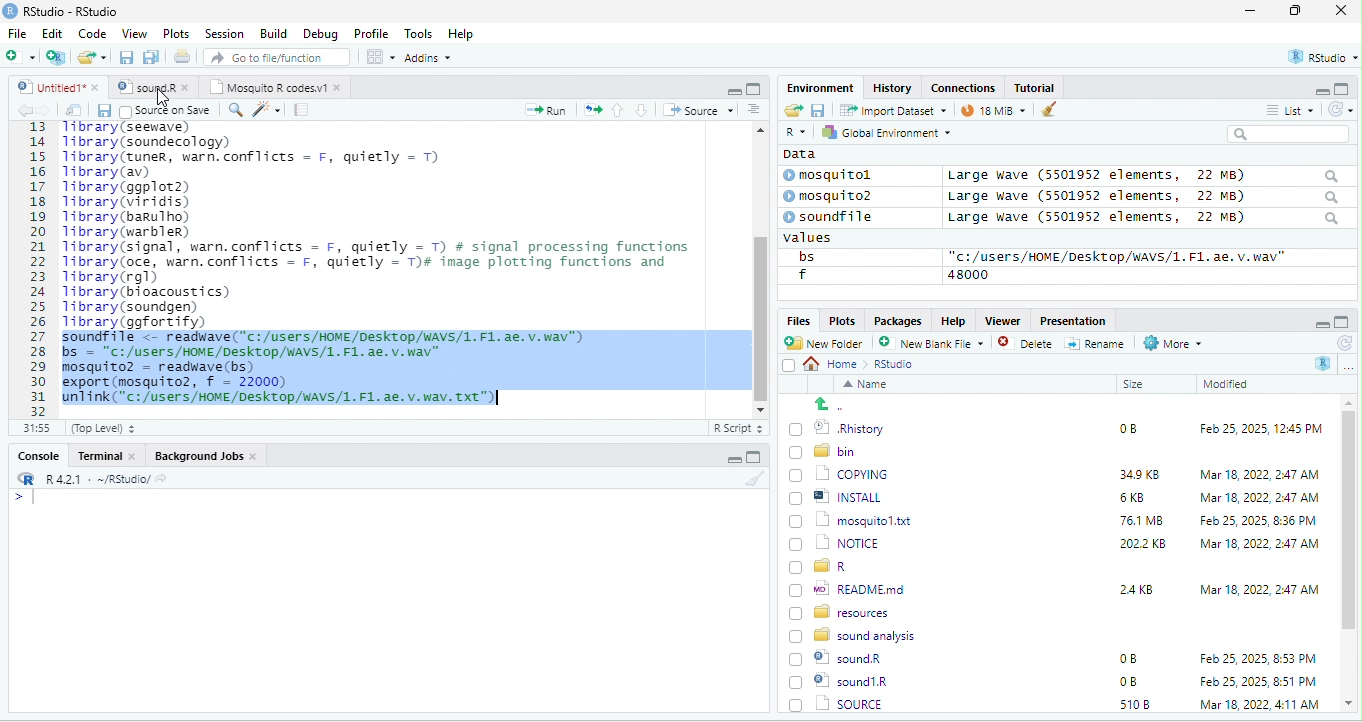  Describe the element at coordinates (849, 703) in the screenshot. I see `Uninstall.exe` at that location.